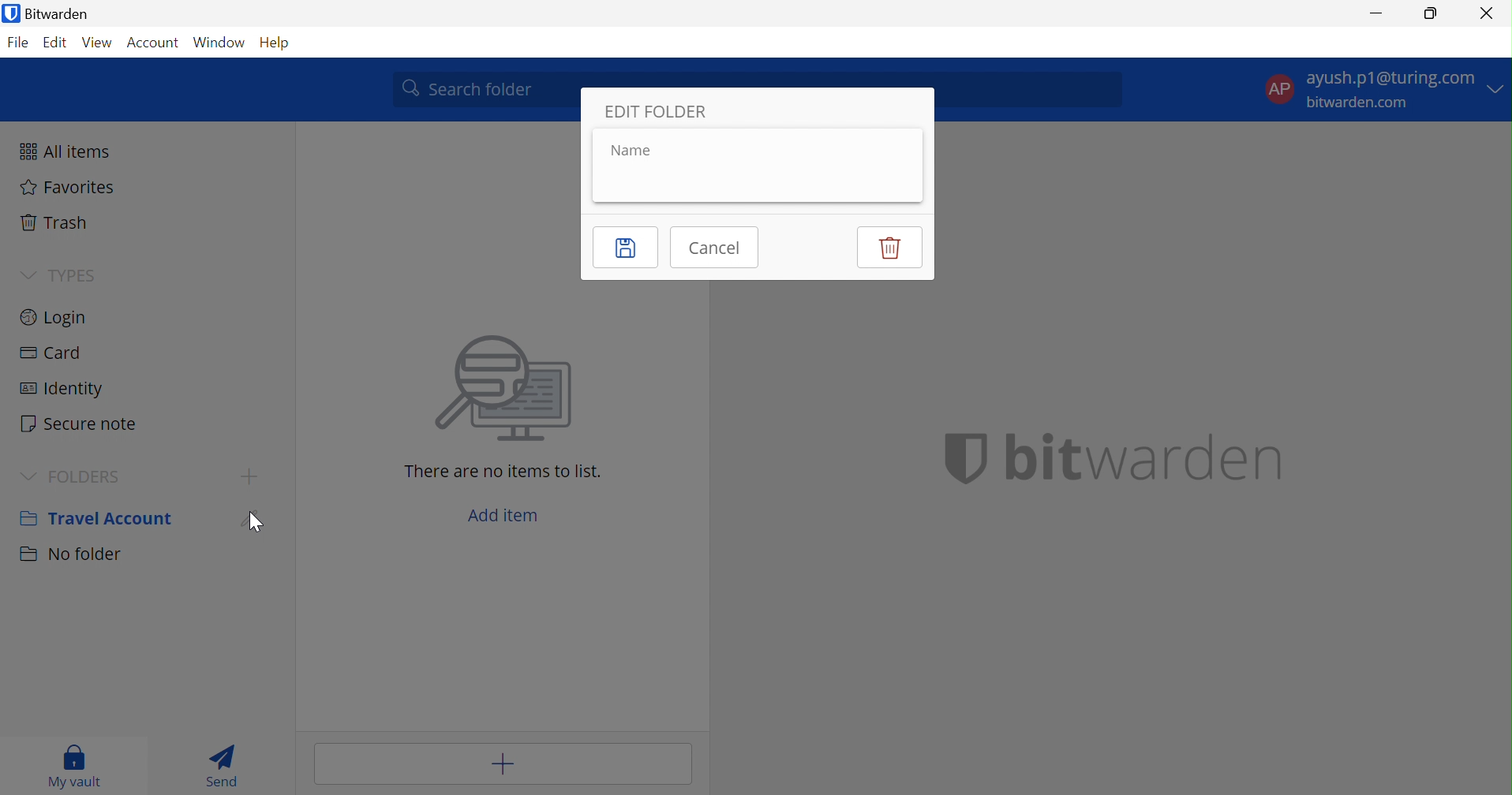 The width and height of the screenshot is (1512, 795). I want to click on Favorites, so click(69, 189).